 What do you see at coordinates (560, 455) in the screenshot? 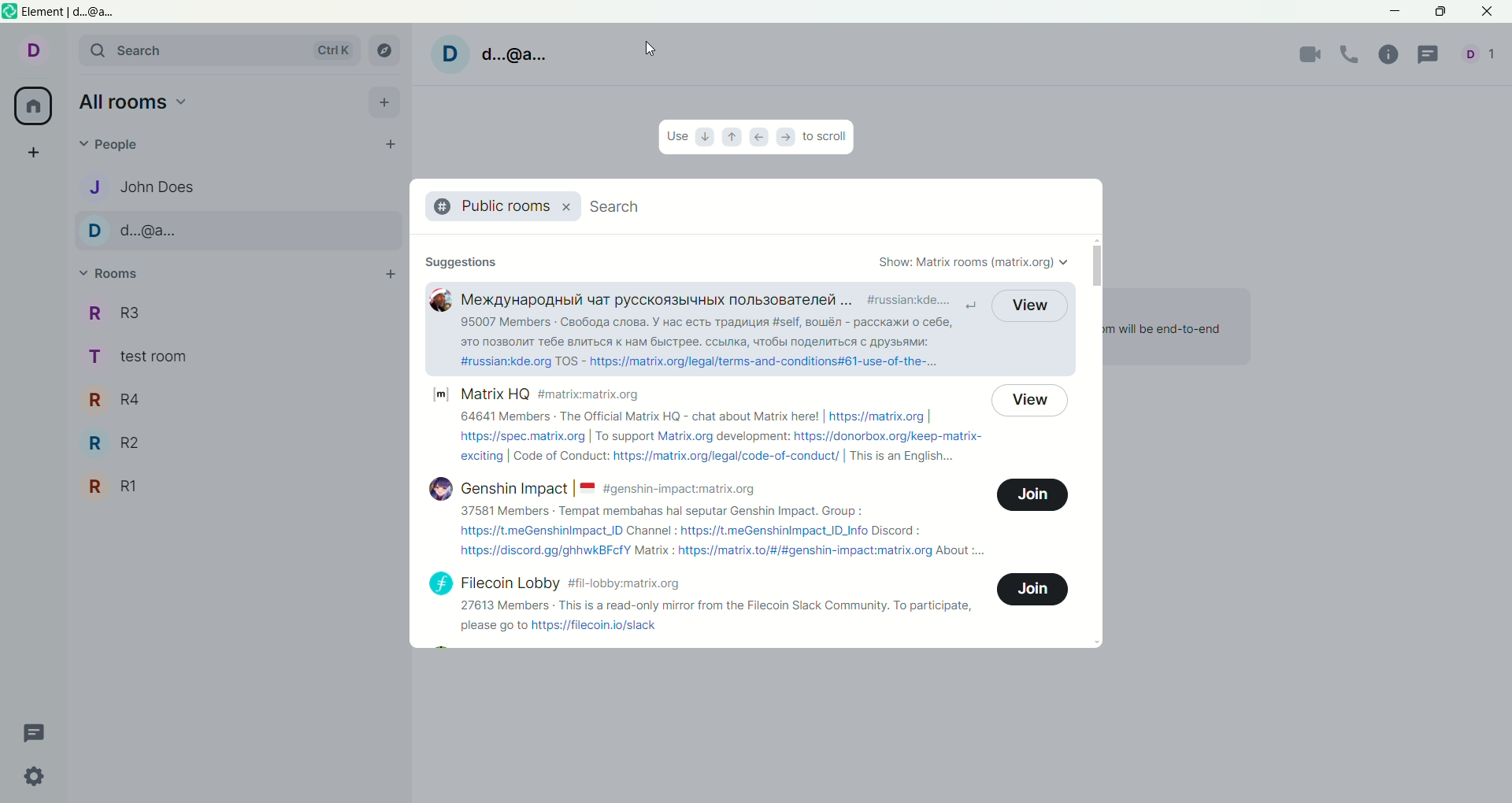
I see `Code of Conduct:` at bounding box center [560, 455].